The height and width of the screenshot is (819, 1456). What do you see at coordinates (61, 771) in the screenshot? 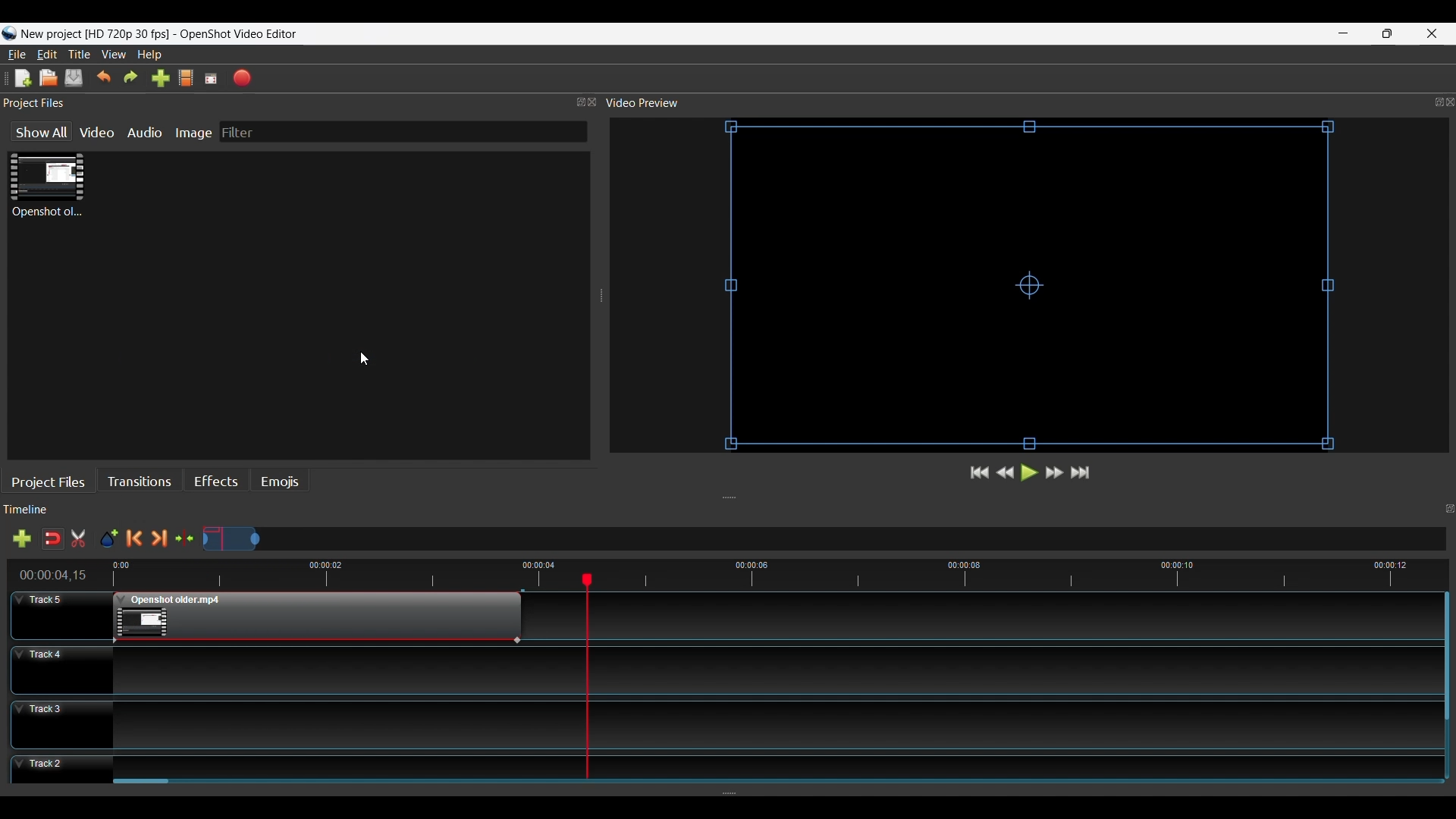
I see `Track Header` at bounding box center [61, 771].